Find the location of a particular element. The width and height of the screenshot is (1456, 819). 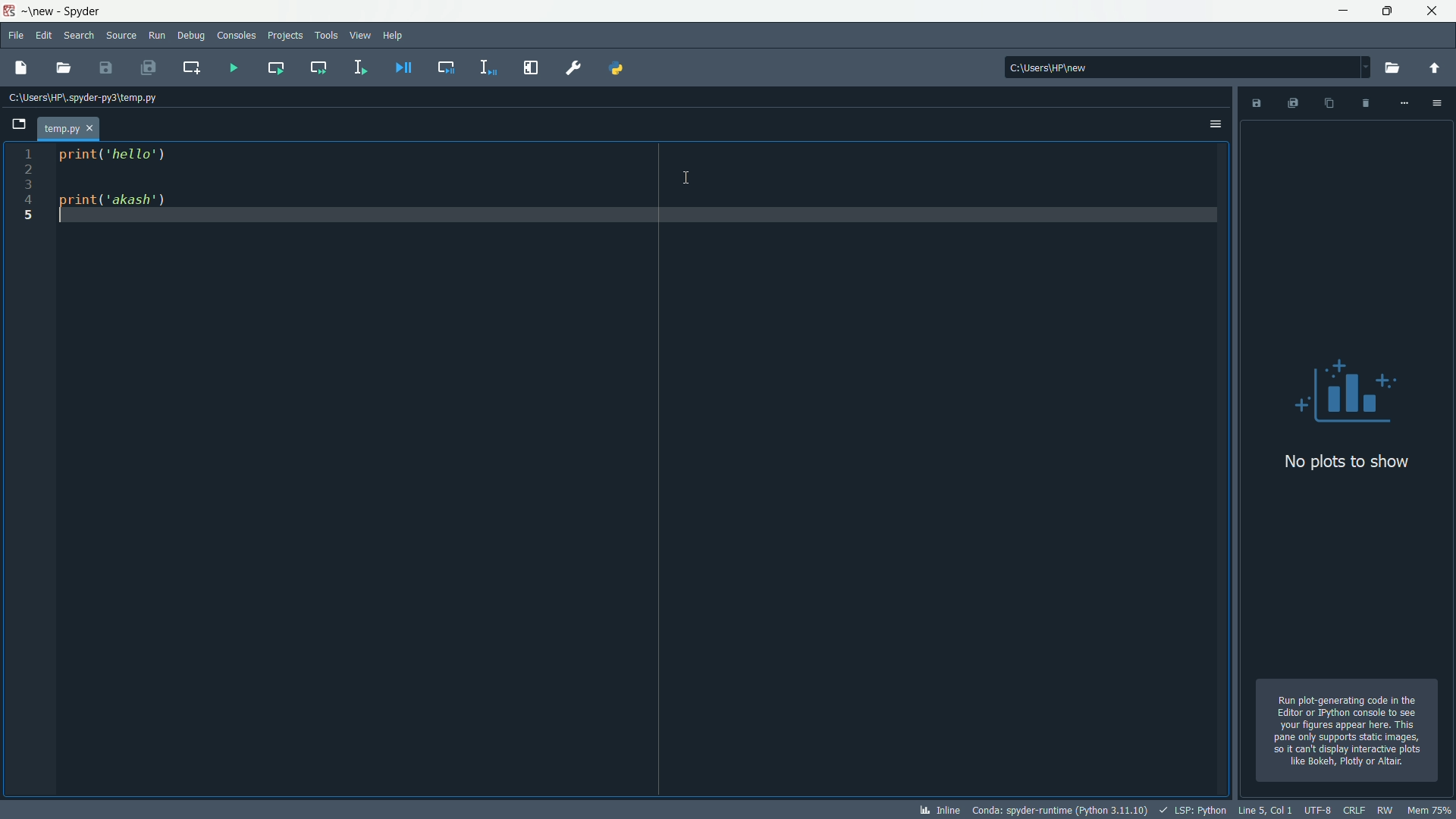

create new cell at the current line is located at coordinates (194, 64).